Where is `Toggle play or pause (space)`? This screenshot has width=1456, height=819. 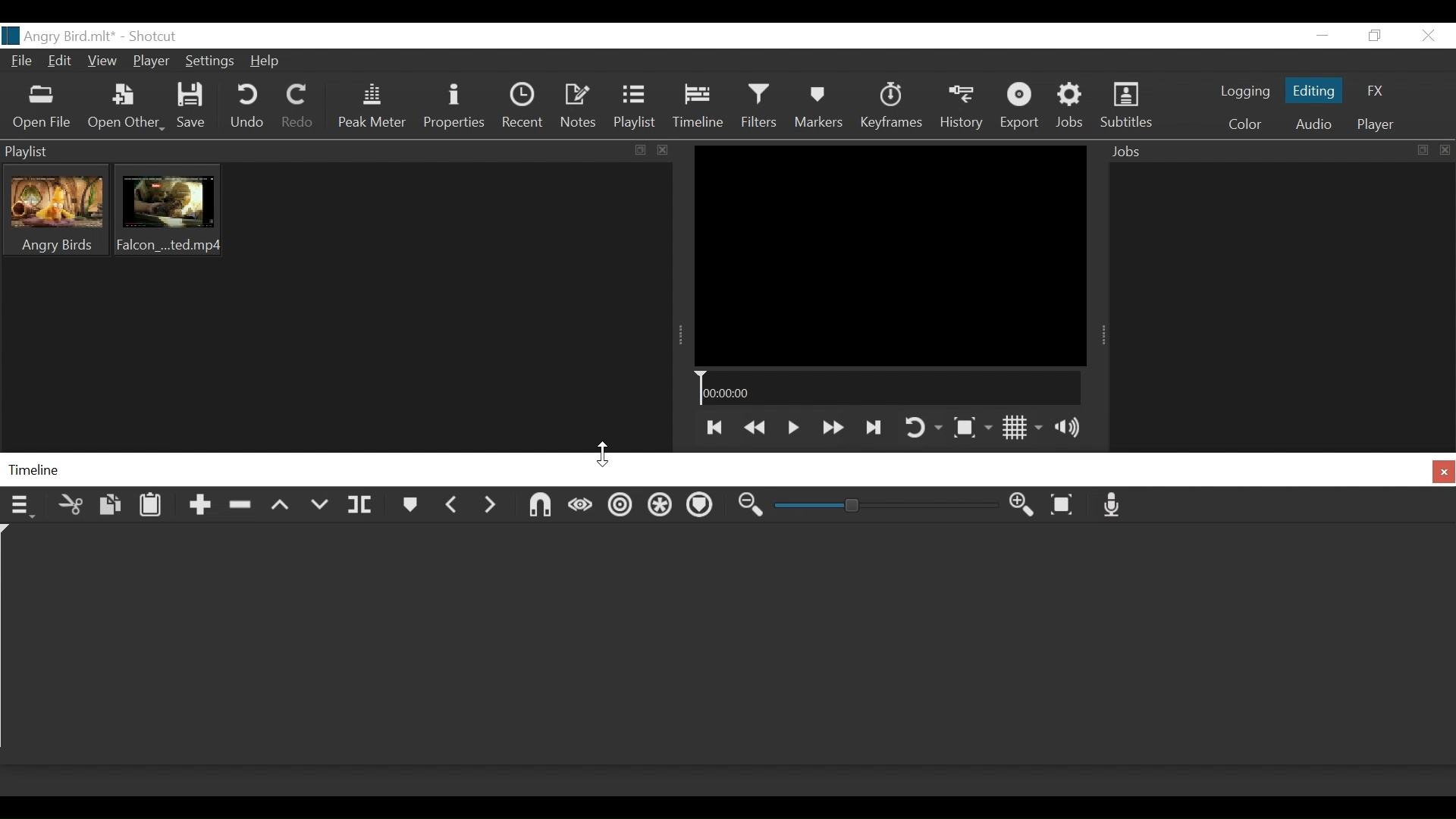 Toggle play or pause (space) is located at coordinates (792, 428).